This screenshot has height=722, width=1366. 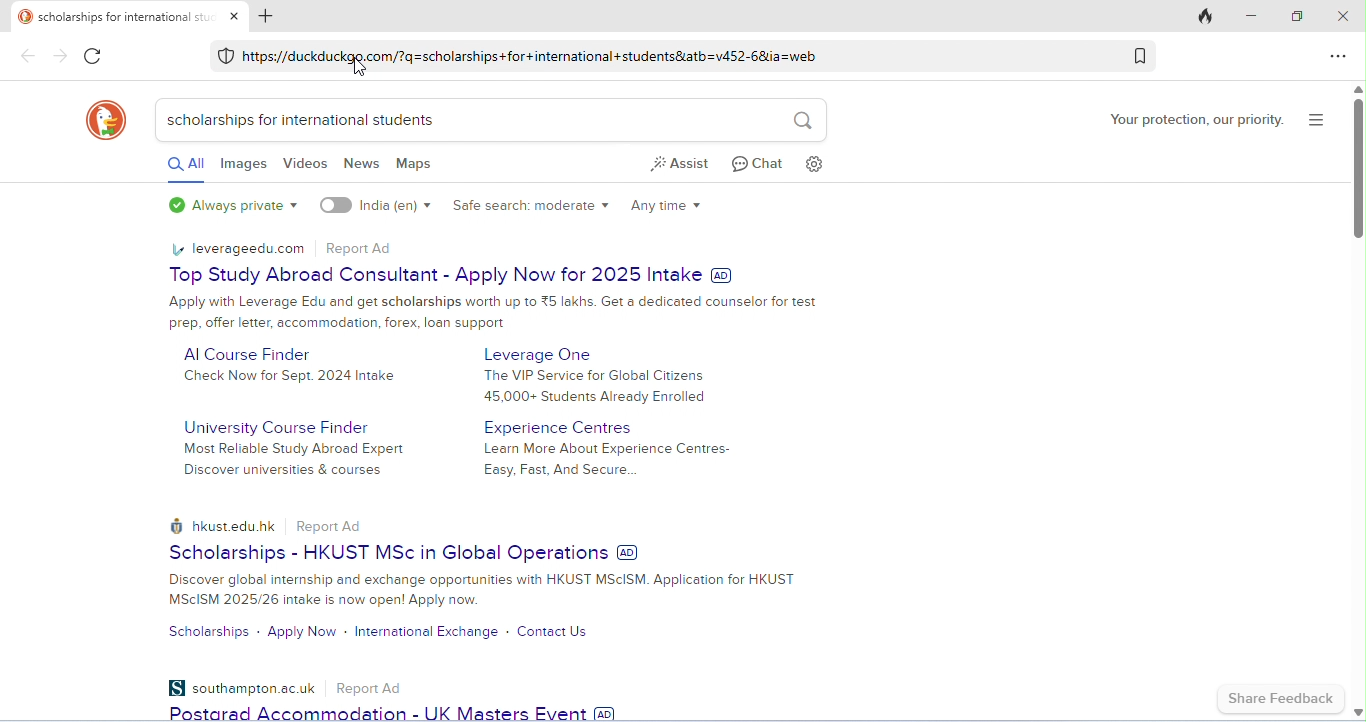 What do you see at coordinates (244, 164) in the screenshot?
I see `images` at bounding box center [244, 164].